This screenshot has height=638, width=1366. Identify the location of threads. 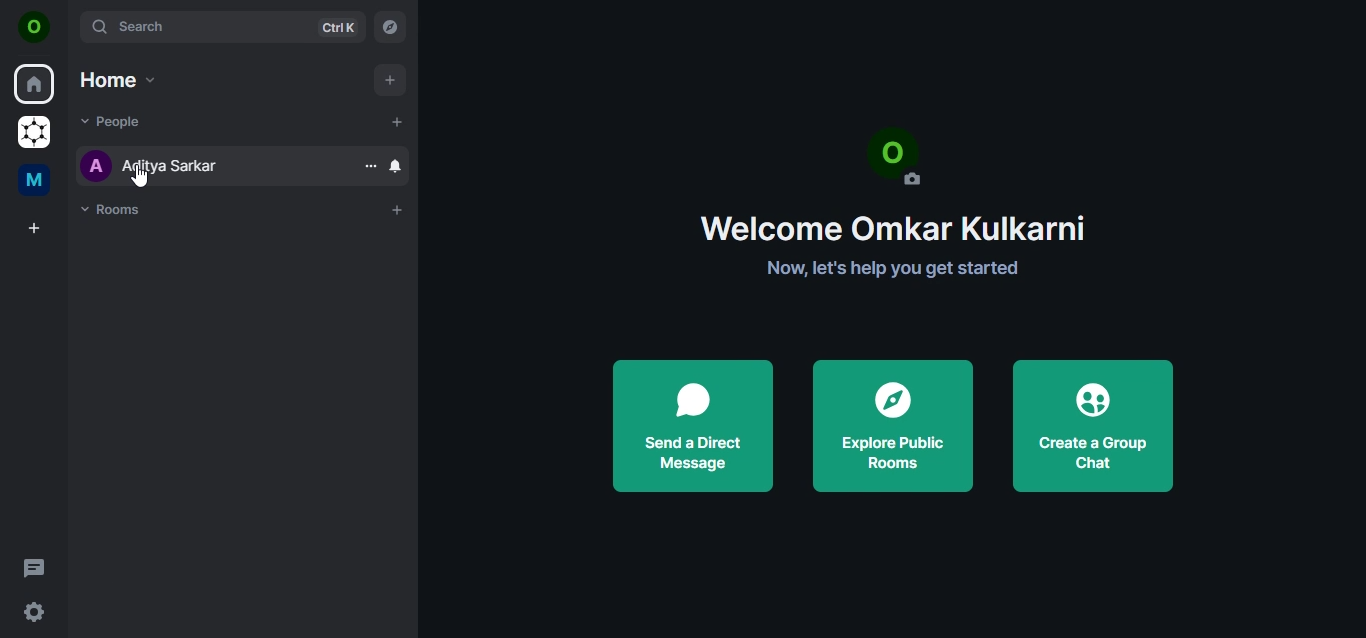
(34, 567).